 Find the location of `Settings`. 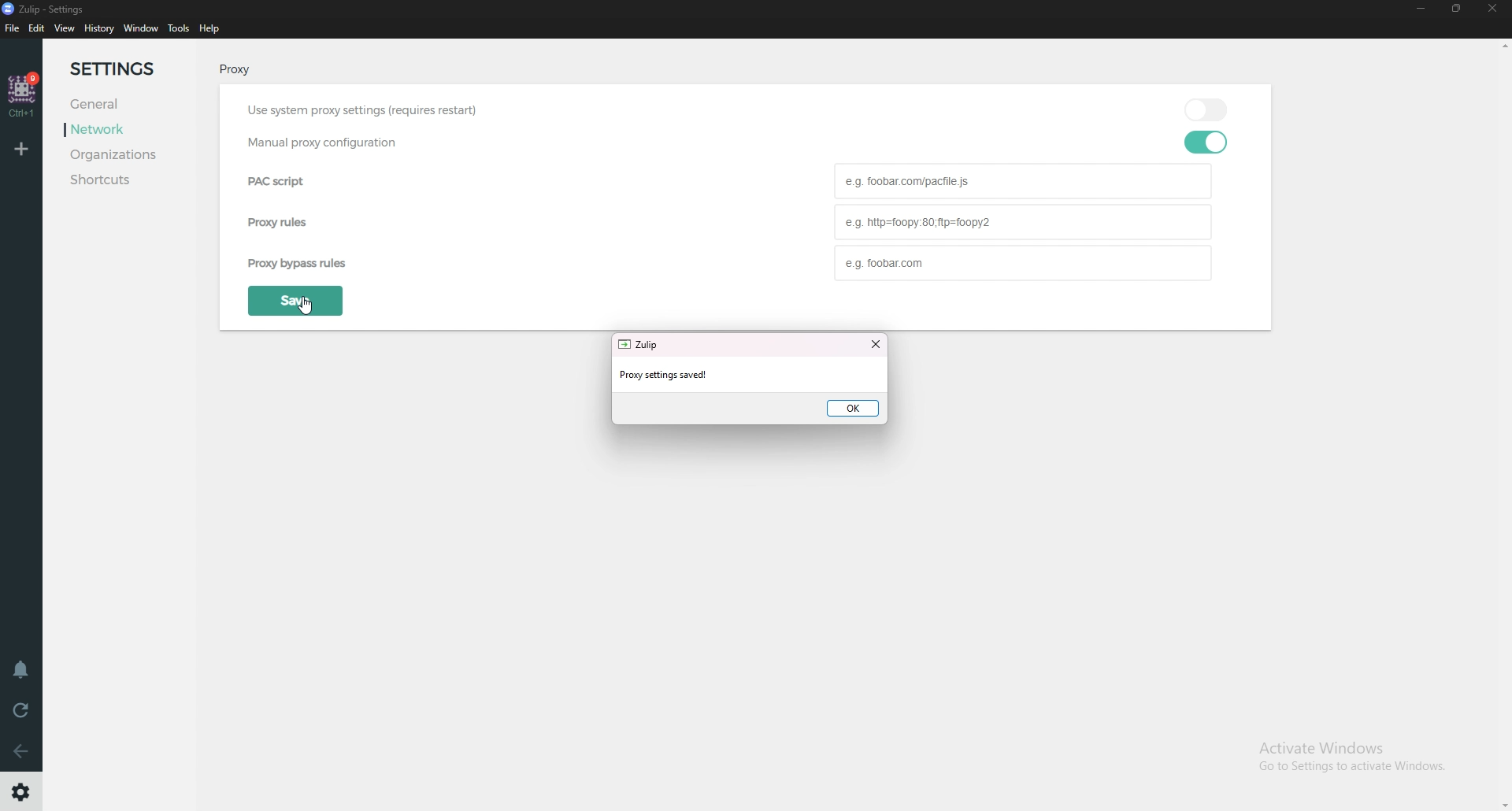

Settings is located at coordinates (22, 792).